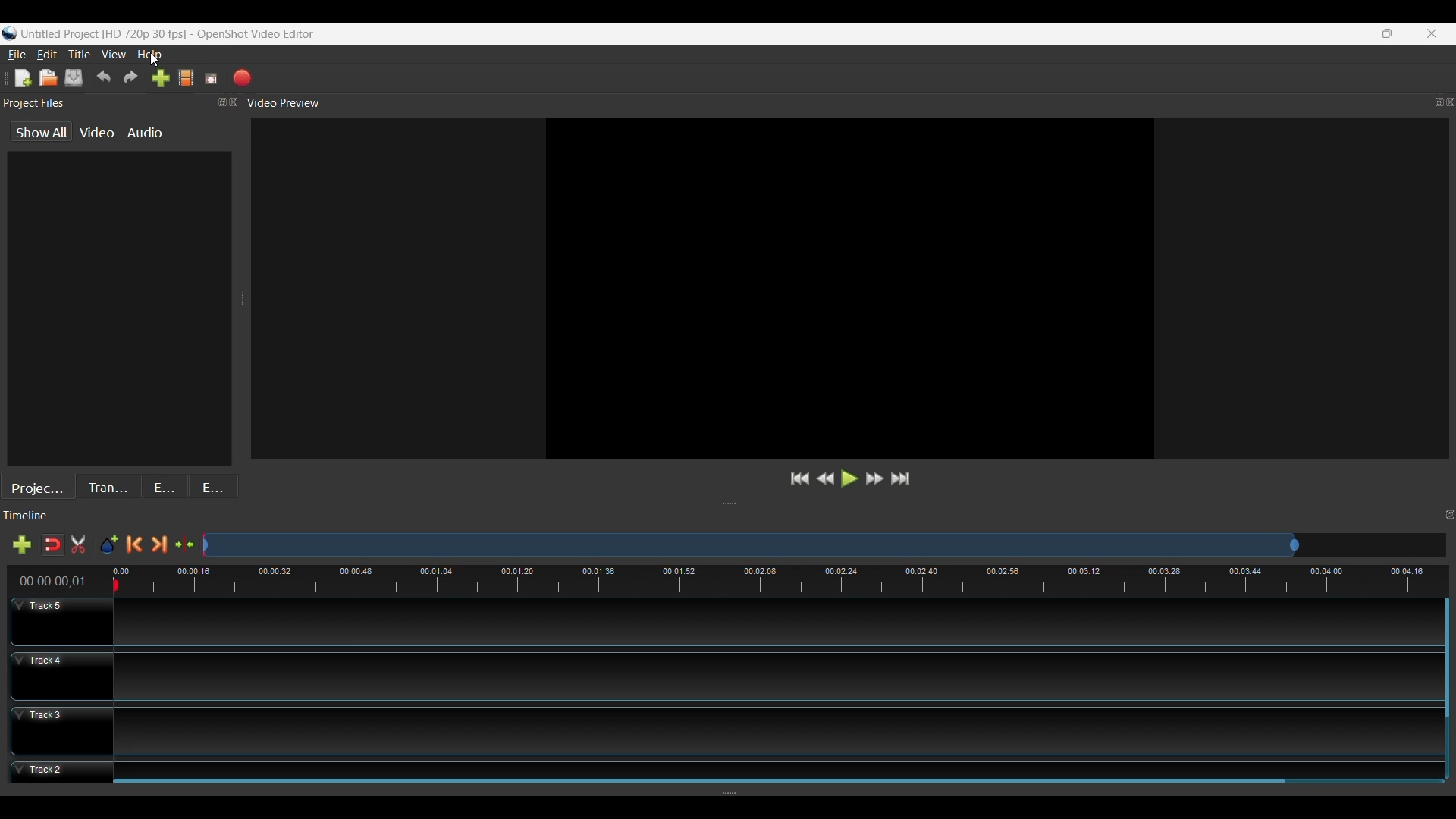  Describe the element at coordinates (153, 55) in the screenshot. I see `Help` at that location.